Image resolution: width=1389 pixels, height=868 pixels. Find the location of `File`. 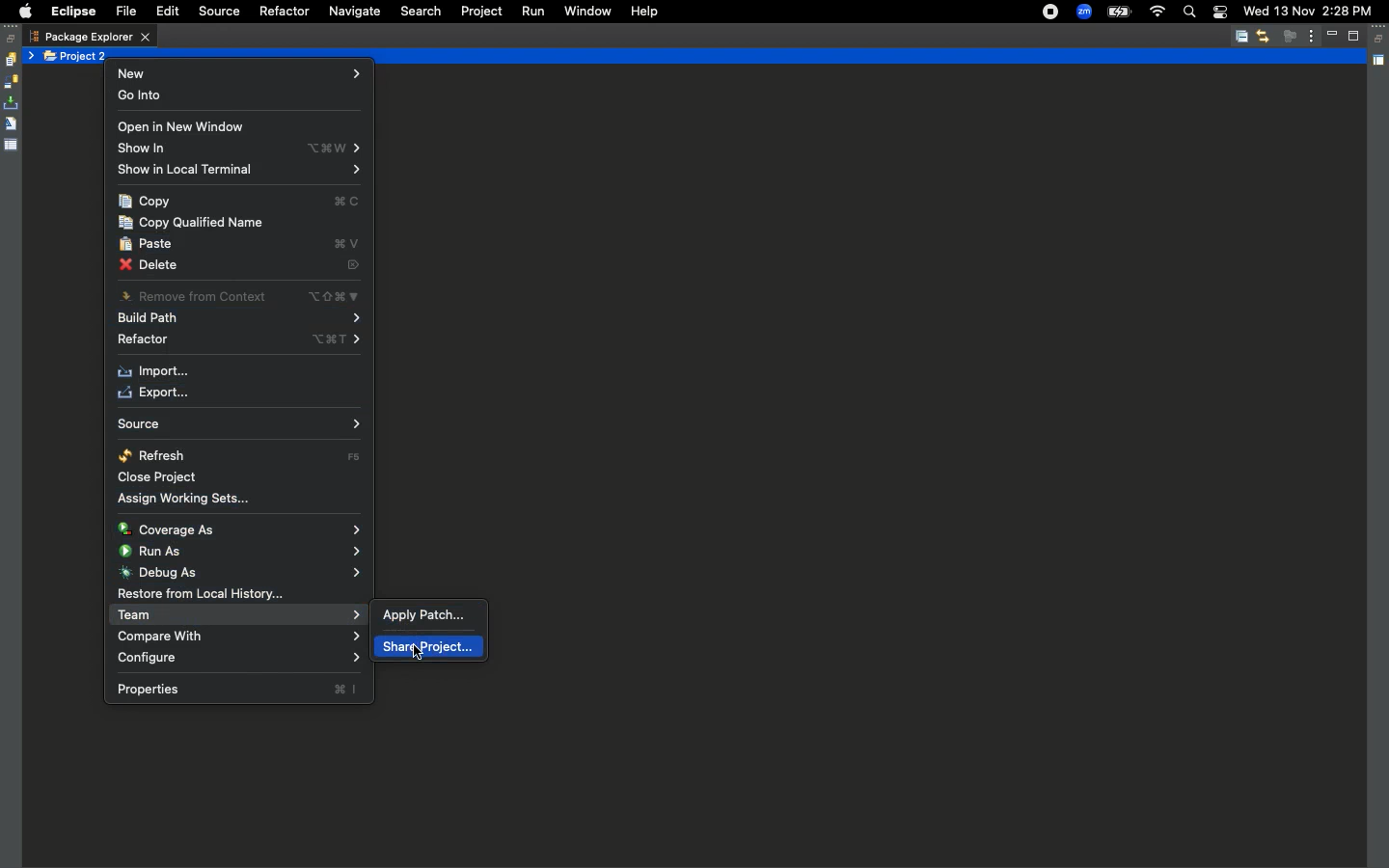

File is located at coordinates (124, 13).